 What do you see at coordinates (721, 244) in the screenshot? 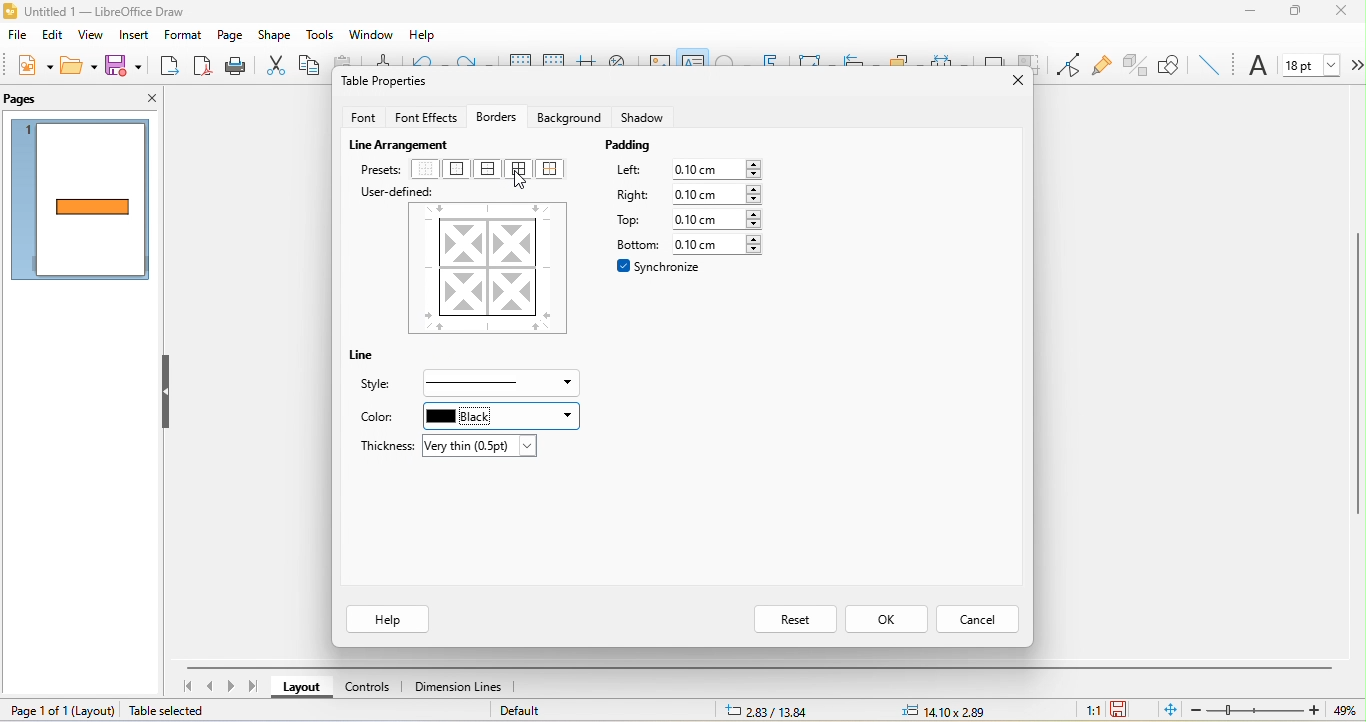
I see `0.10 cm` at bounding box center [721, 244].